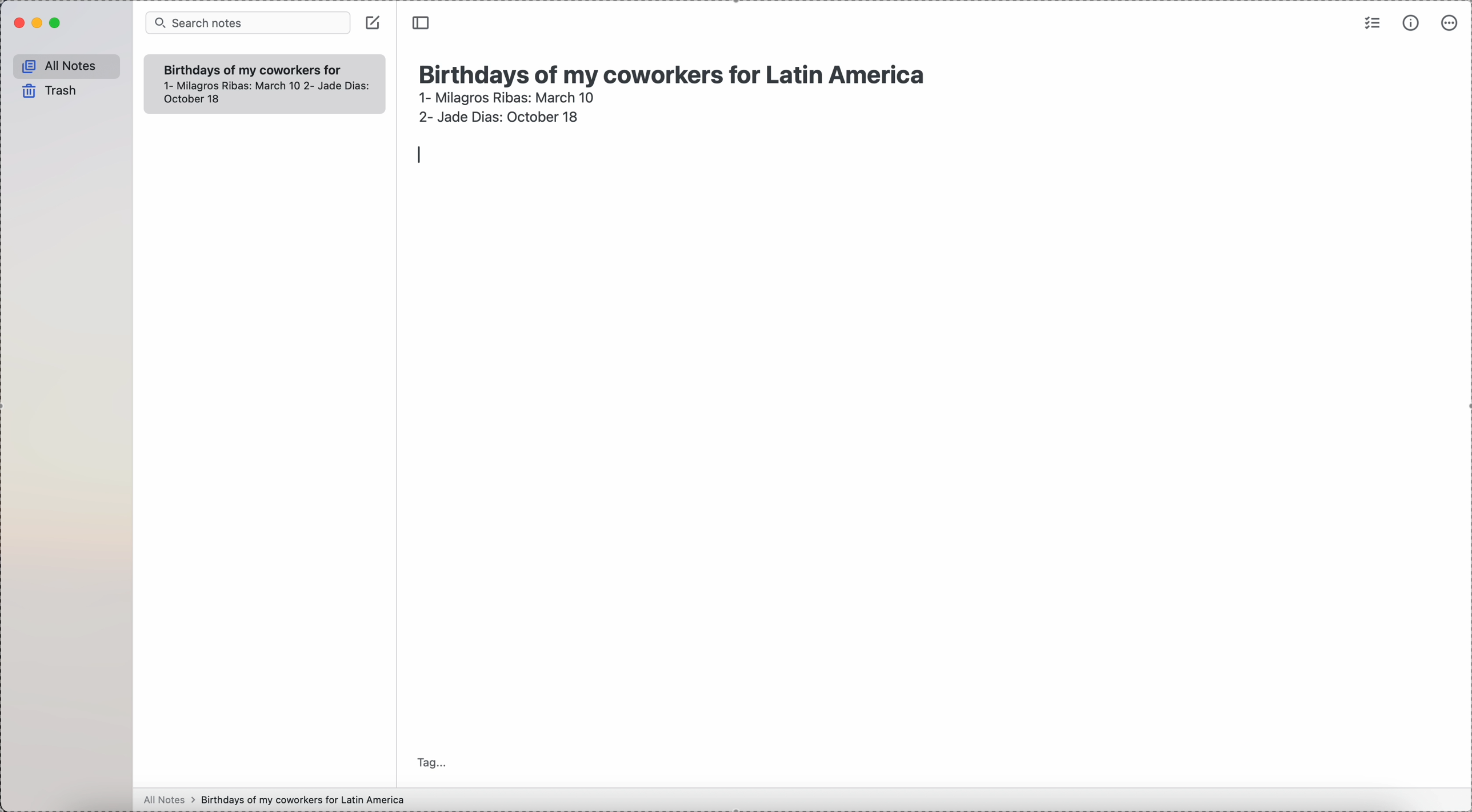  I want to click on all notes, so click(67, 67).